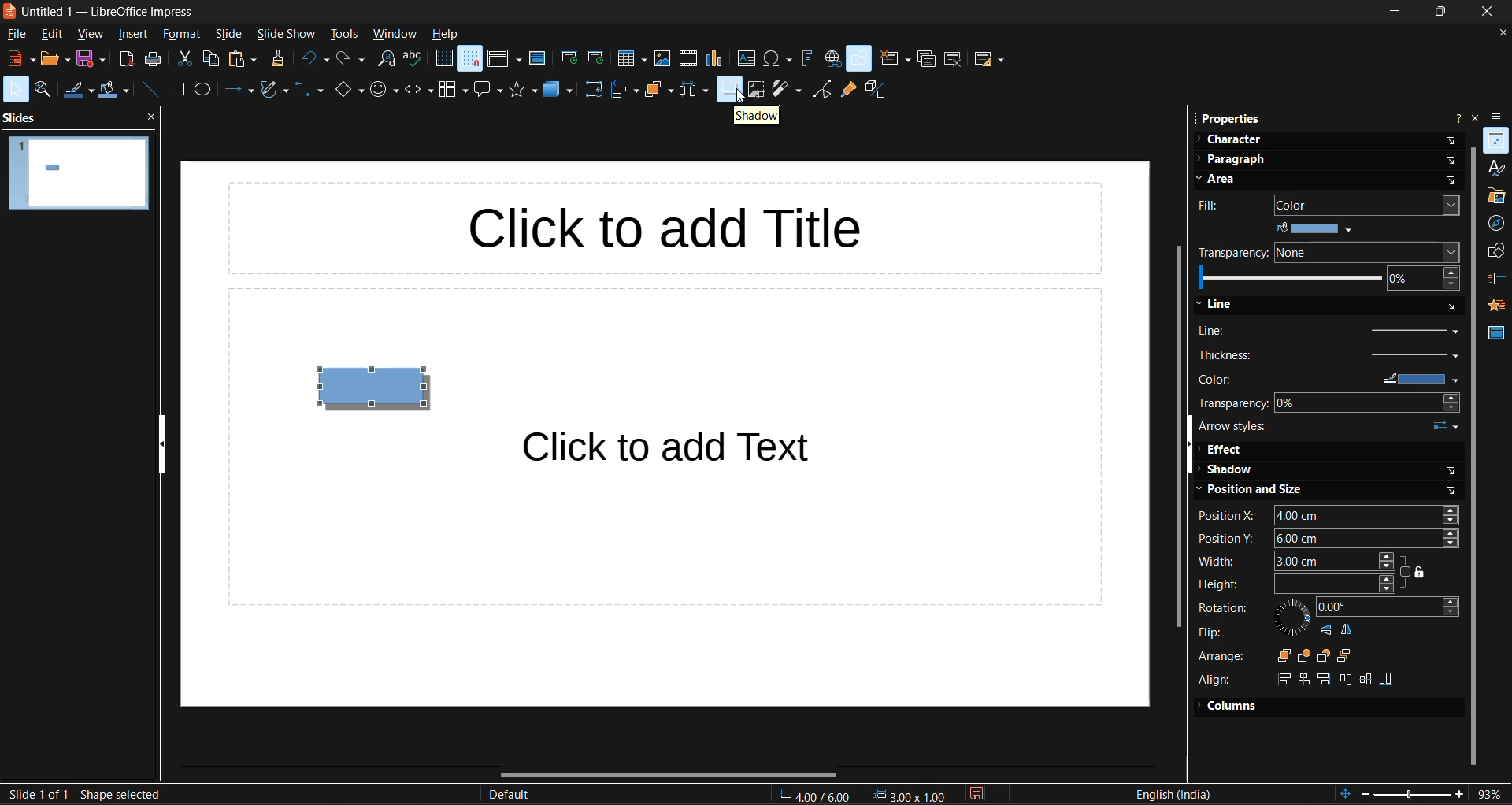  Describe the element at coordinates (1326, 680) in the screenshot. I see `right` at that location.